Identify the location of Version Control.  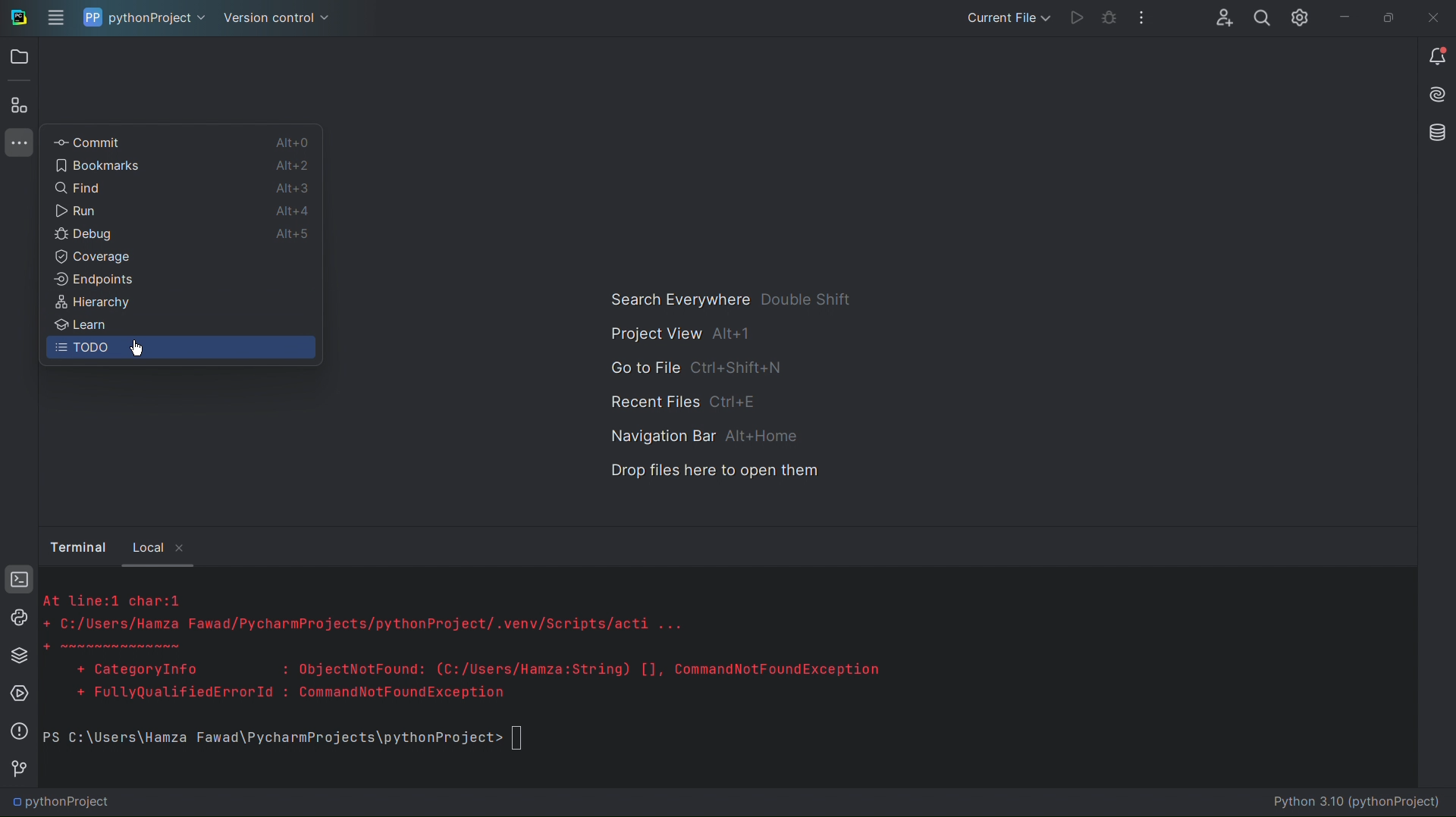
(14, 767).